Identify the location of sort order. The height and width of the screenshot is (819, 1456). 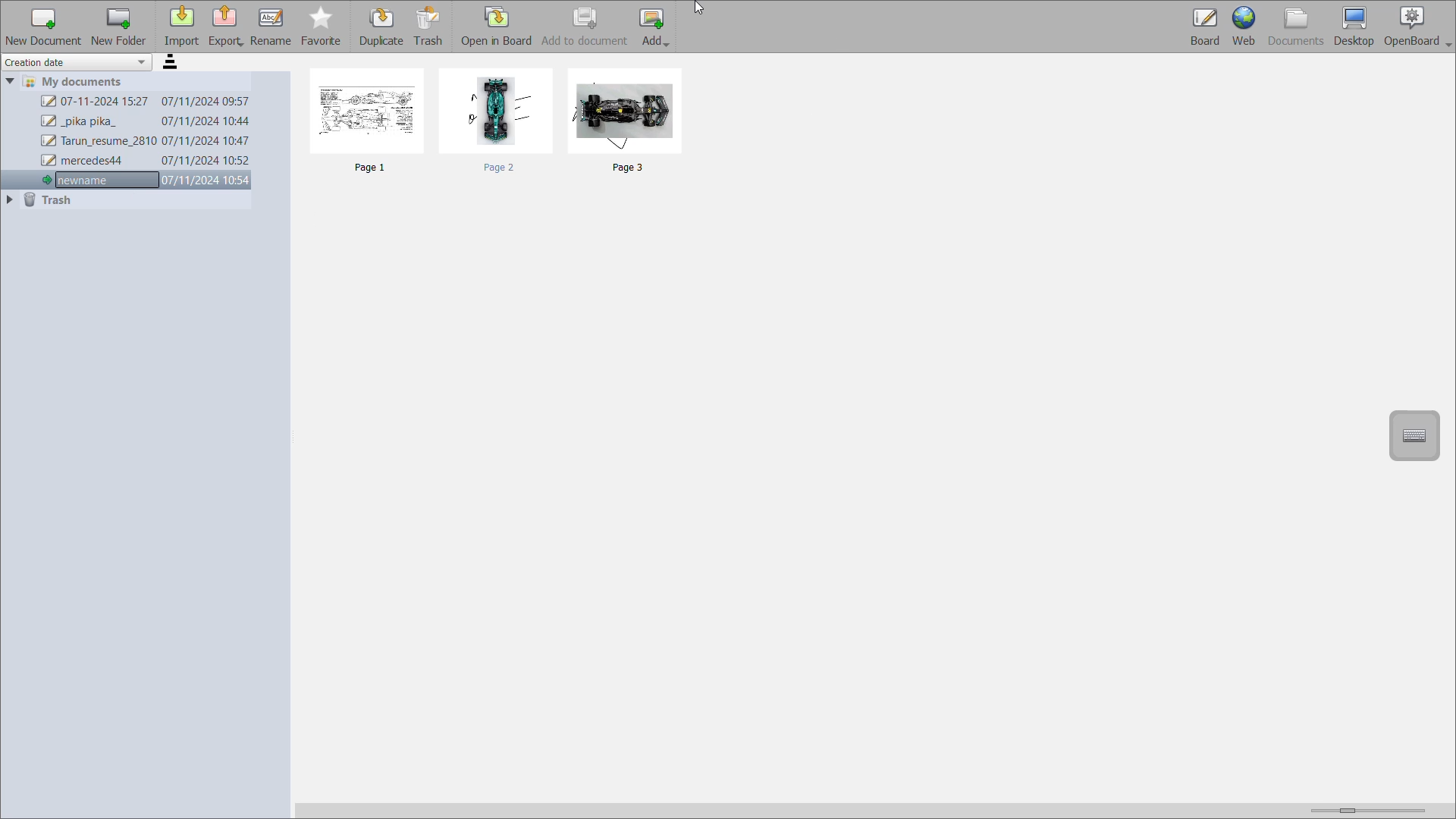
(174, 64).